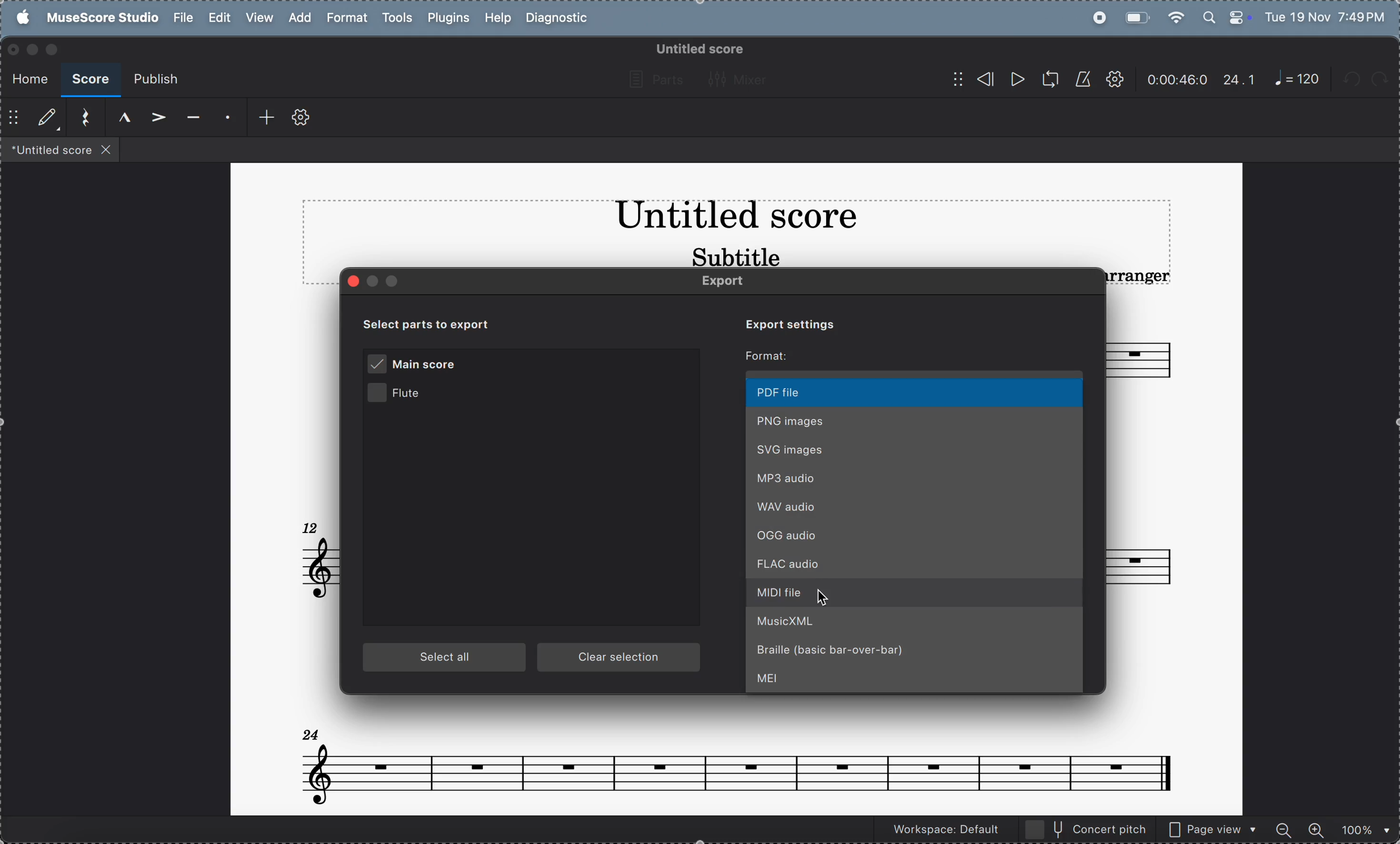 This screenshot has width=1400, height=844. I want to click on maximize, so click(55, 49).